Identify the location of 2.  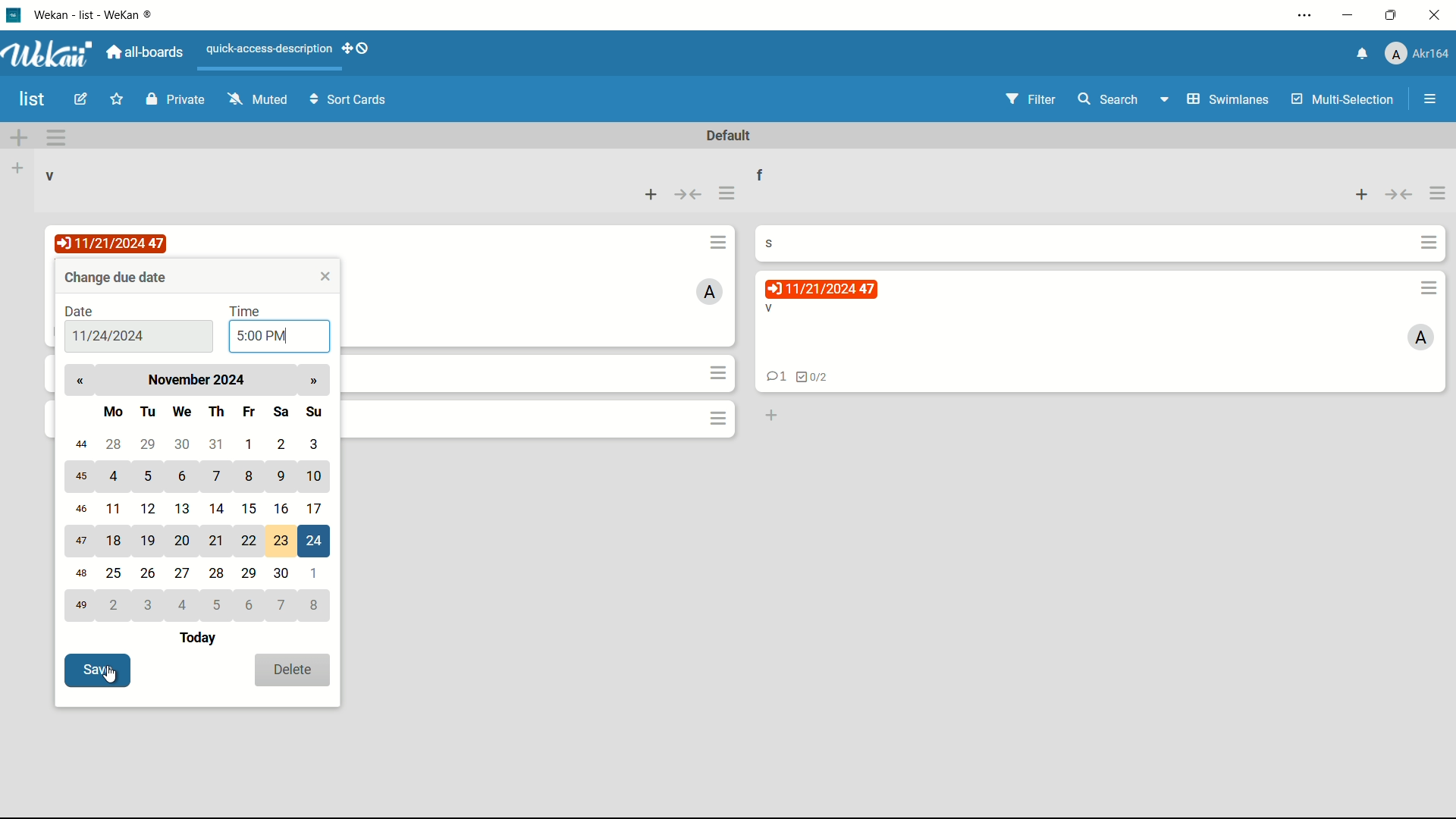
(282, 443).